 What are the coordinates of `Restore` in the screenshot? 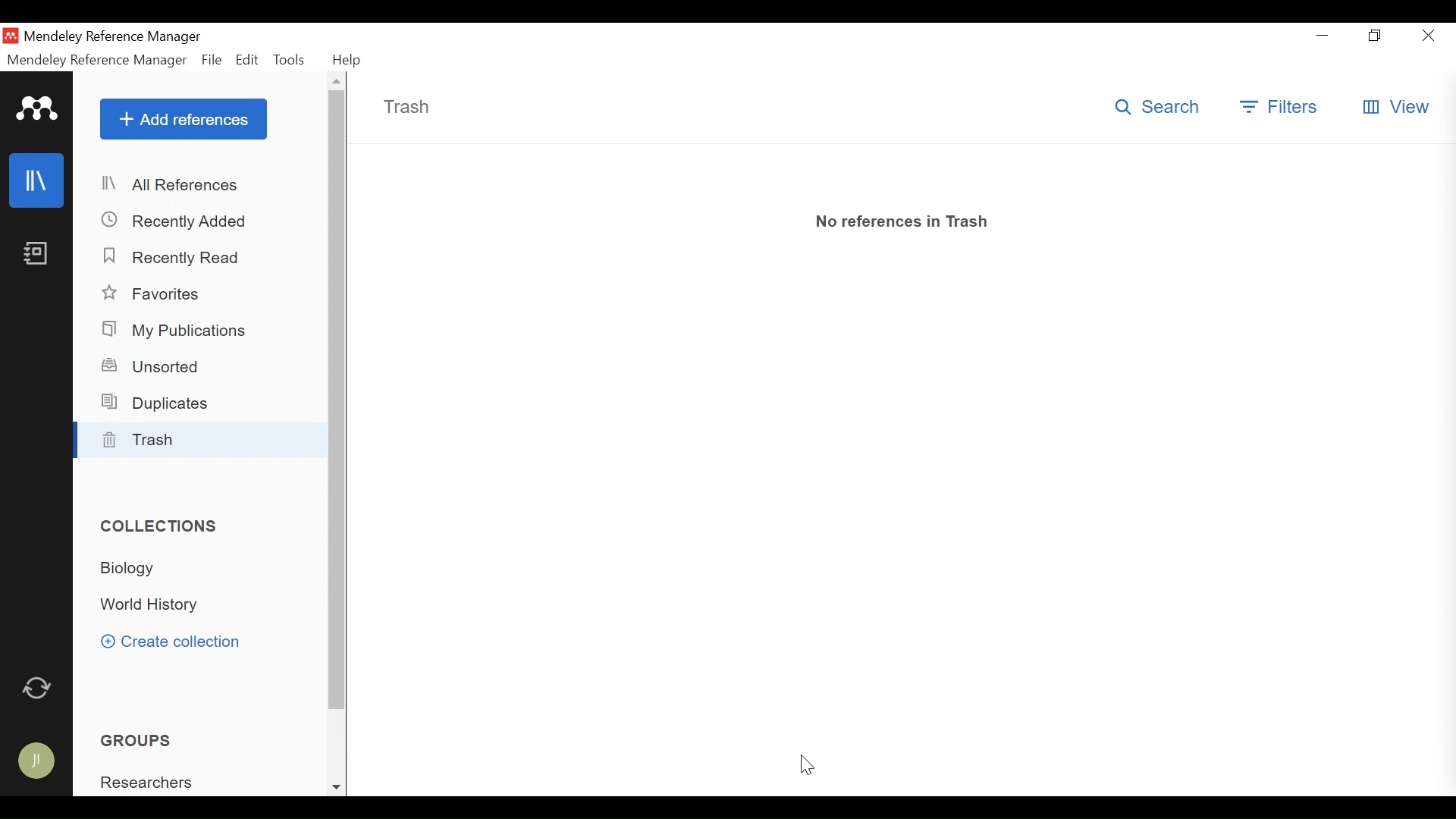 It's located at (1373, 36).